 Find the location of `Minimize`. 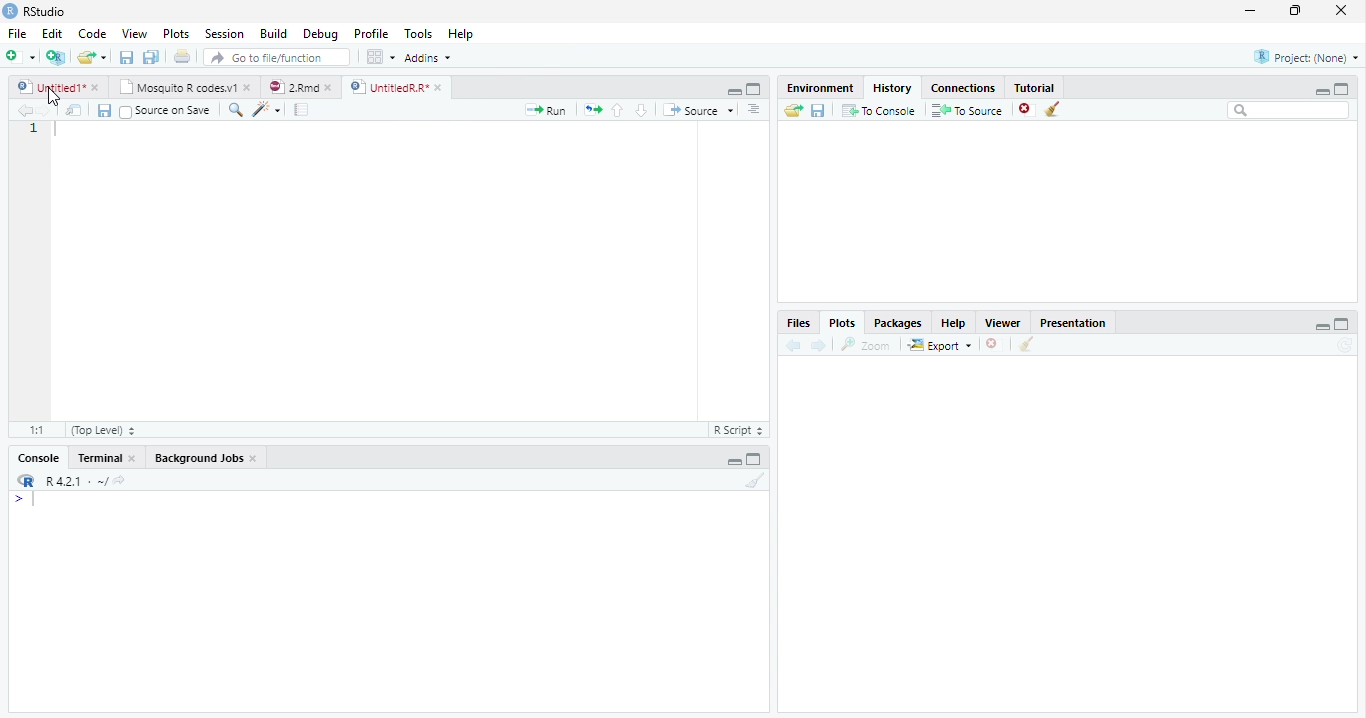

Minimize is located at coordinates (734, 91).